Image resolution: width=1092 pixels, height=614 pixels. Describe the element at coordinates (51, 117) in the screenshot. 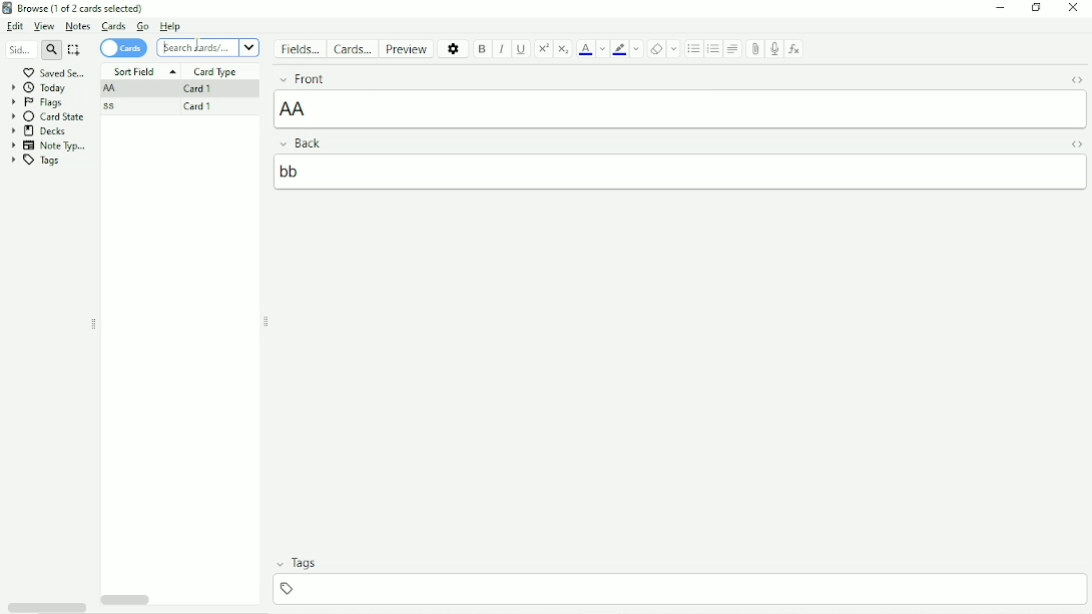

I see `Card State` at that location.